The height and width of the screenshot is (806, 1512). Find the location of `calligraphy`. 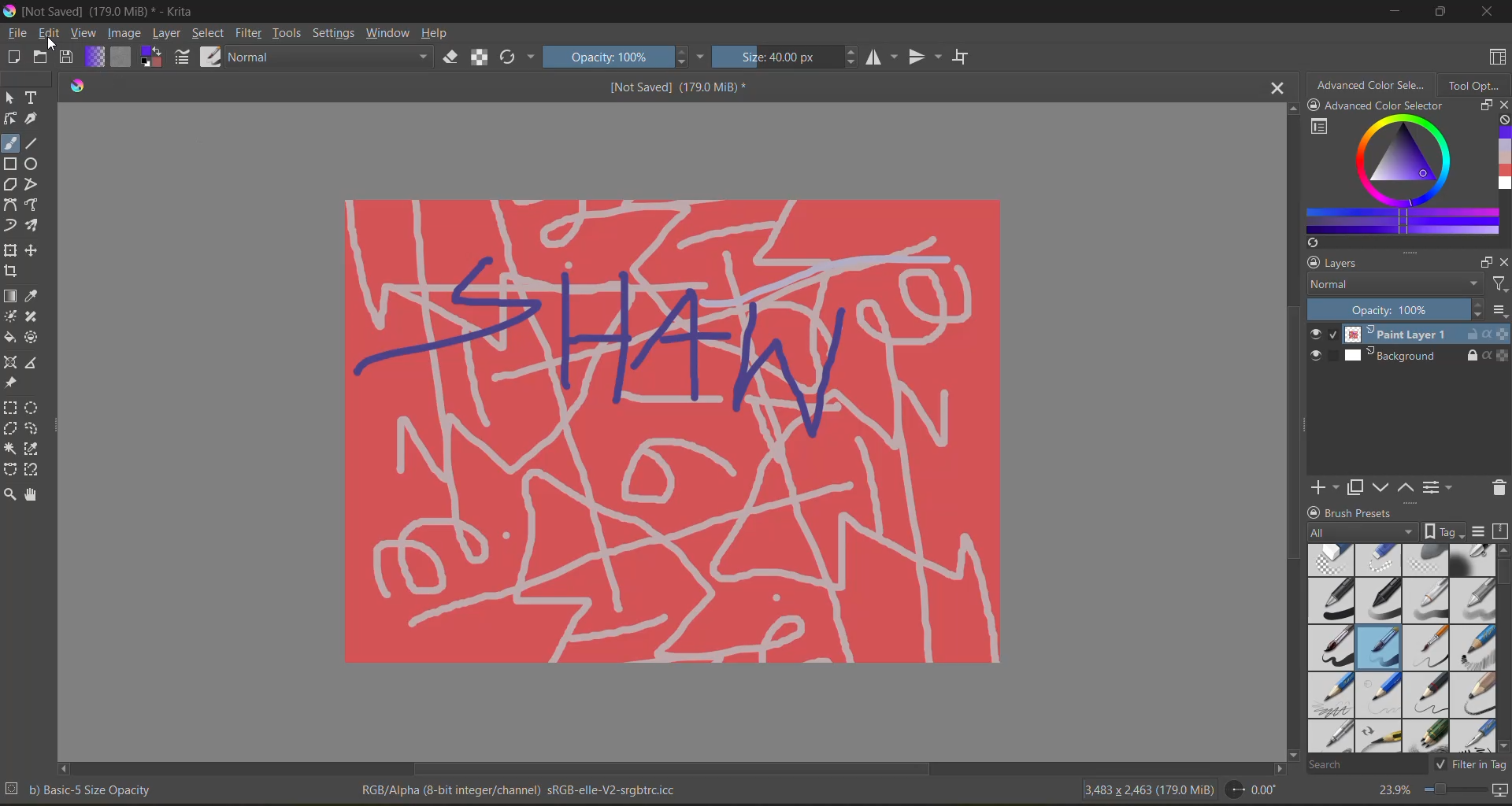

calligraphy is located at coordinates (34, 118).